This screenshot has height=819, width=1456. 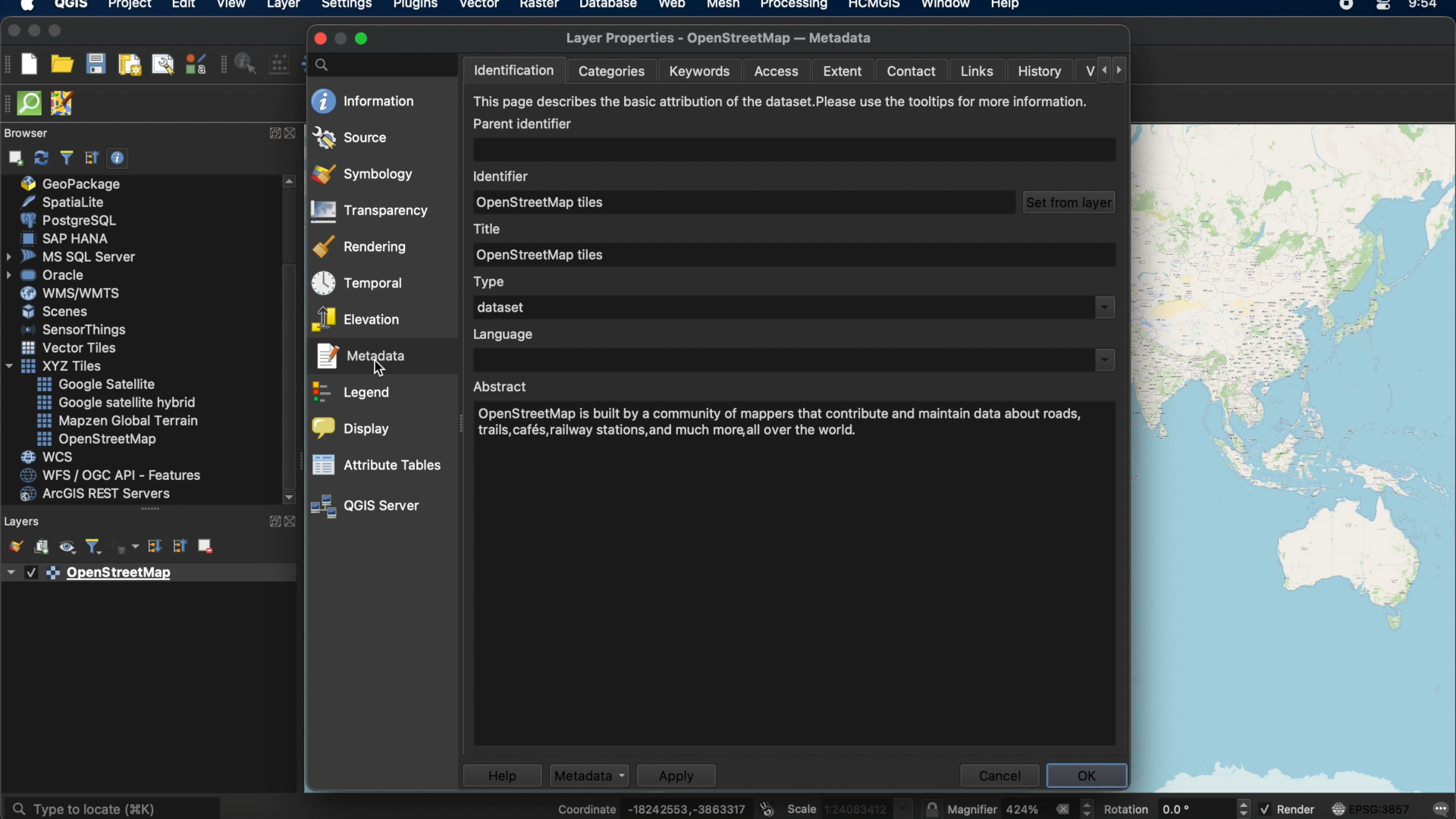 What do you see at coordinates (909, 72) in the screenshot?
I see `contact` at bounding box center [909, 72].